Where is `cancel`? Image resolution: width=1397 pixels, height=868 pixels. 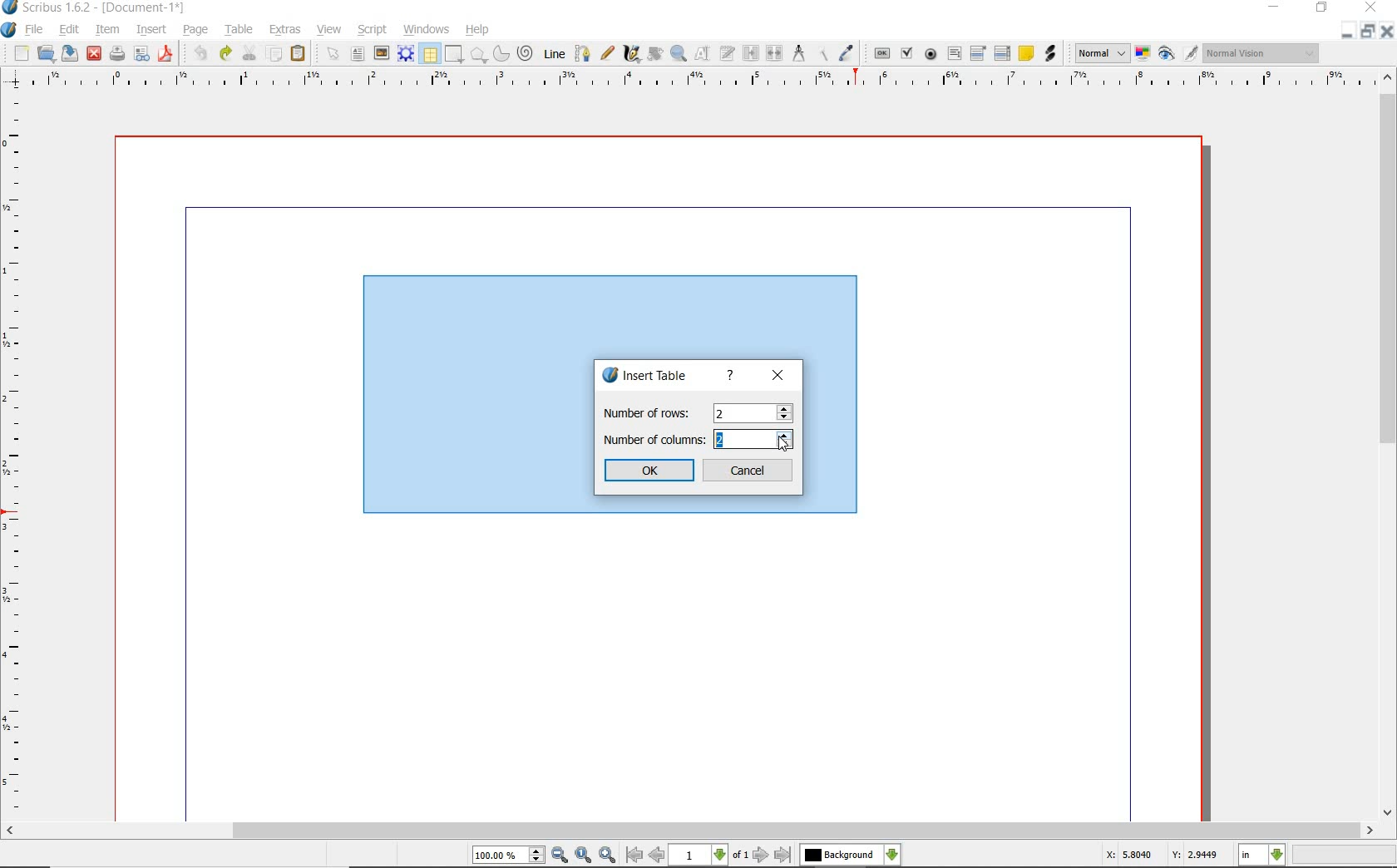
cancel is located at coordinates (749, 471).